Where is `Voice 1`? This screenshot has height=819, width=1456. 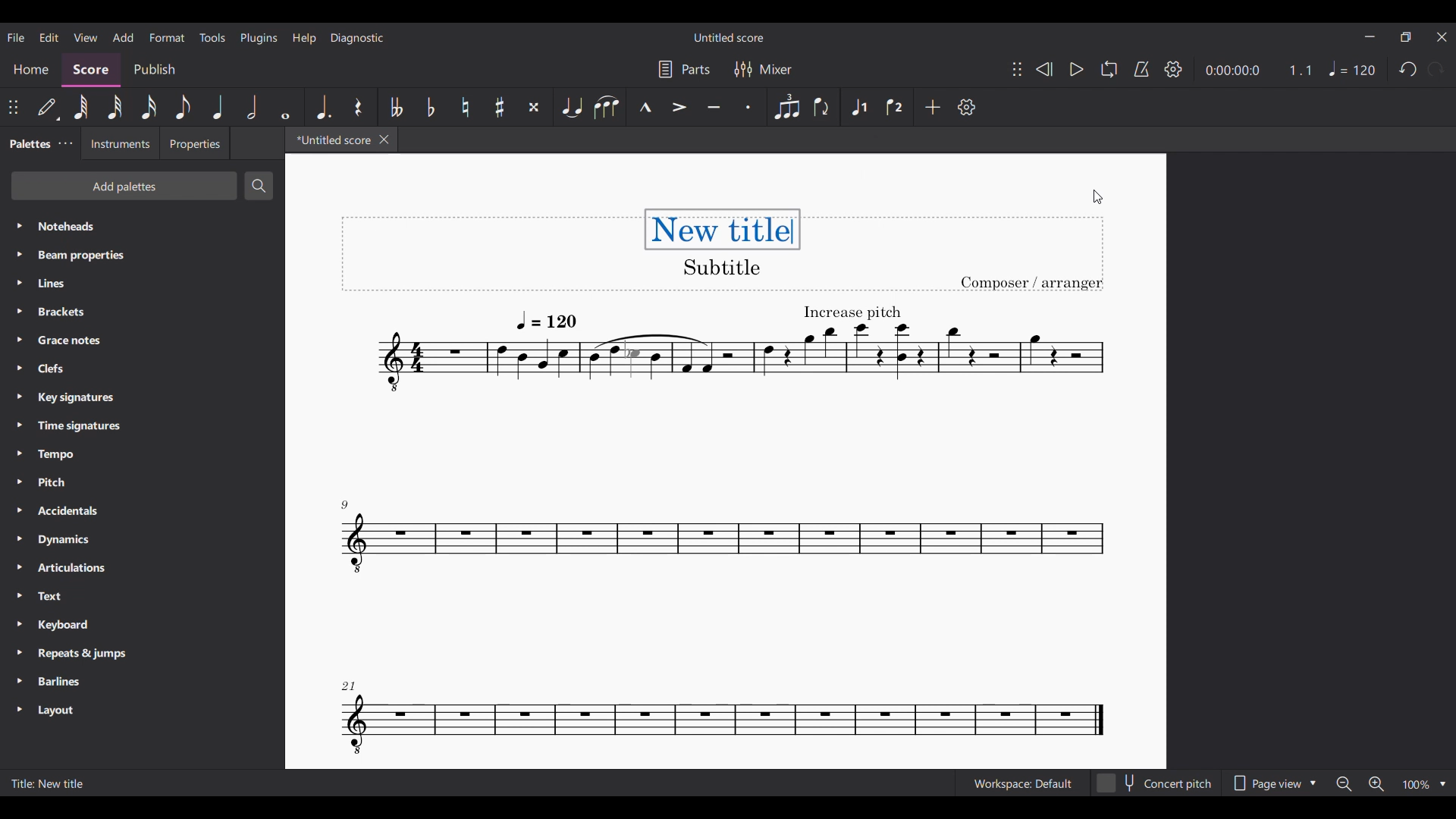 Voice 1 is located at coordinates (859, 107).